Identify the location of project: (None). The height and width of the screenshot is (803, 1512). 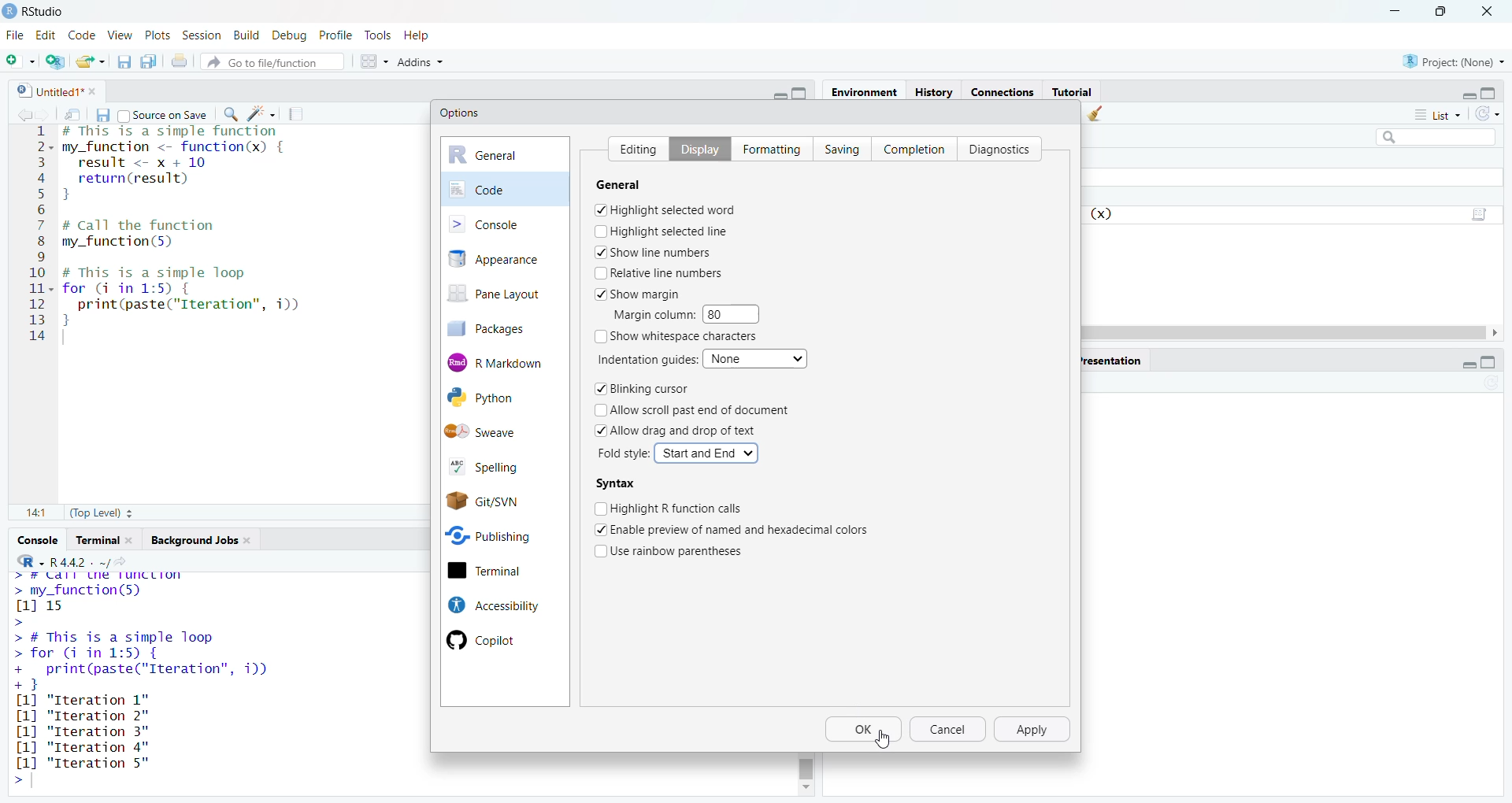
(1455, 62).